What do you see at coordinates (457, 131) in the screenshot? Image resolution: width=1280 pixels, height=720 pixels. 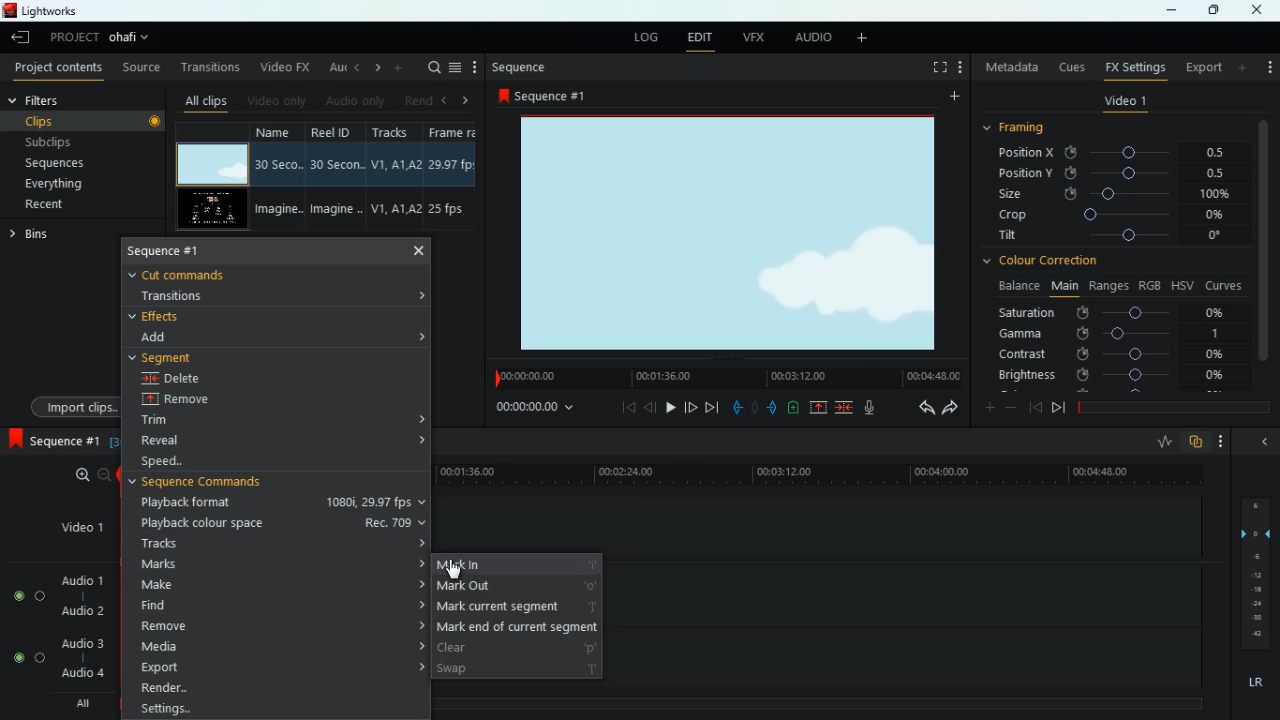 I see `frame` at bounding box center [457, 131].